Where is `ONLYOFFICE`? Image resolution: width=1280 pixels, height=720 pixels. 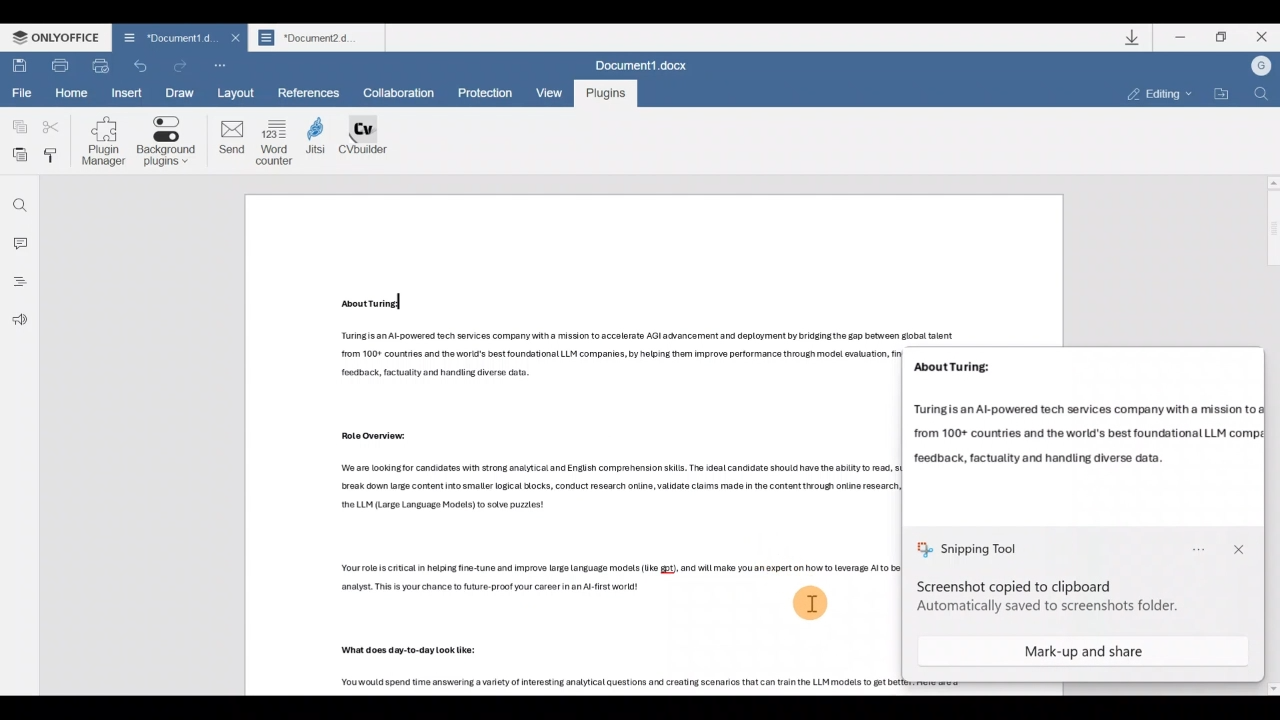
ONLYOFFICE is located at coordinates (58, 39).